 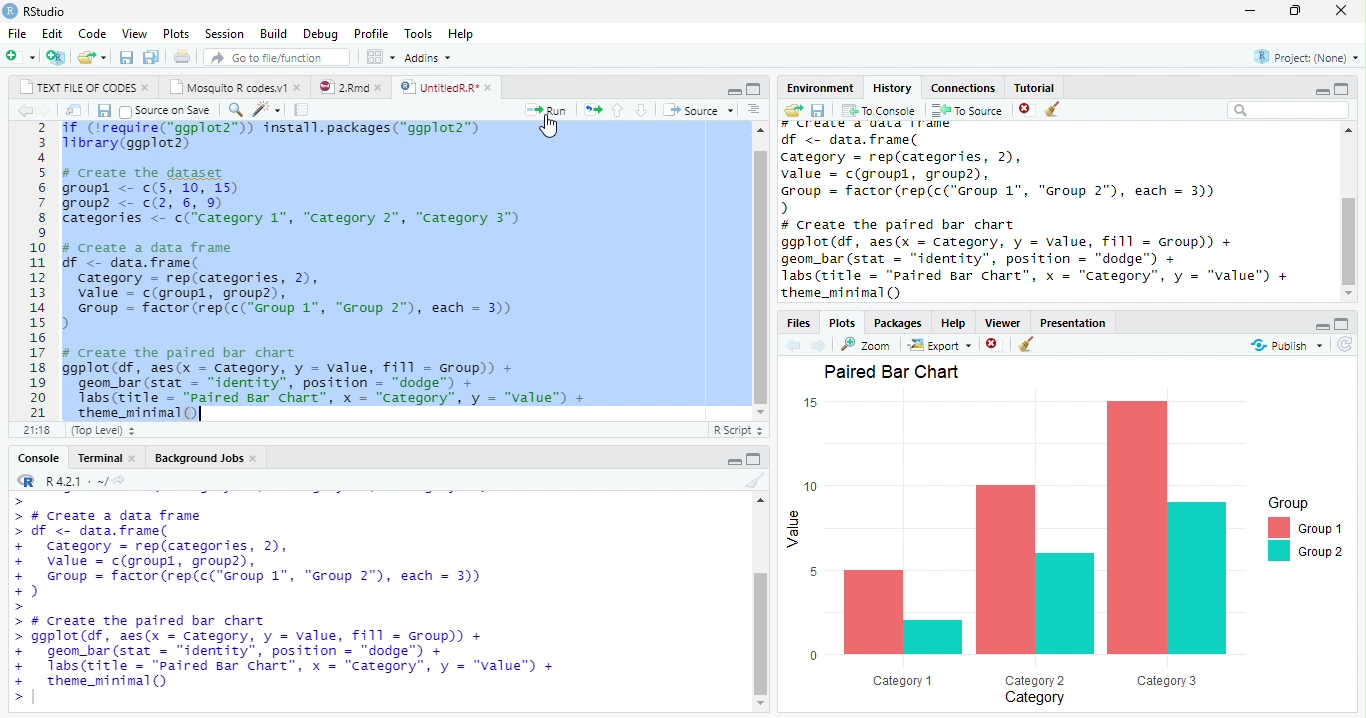 I want to click on 2 3 4 5 6 7 8 9 10 11 12 13 14 15 16 17 18 19 20 21, so click(x=39, y=270).